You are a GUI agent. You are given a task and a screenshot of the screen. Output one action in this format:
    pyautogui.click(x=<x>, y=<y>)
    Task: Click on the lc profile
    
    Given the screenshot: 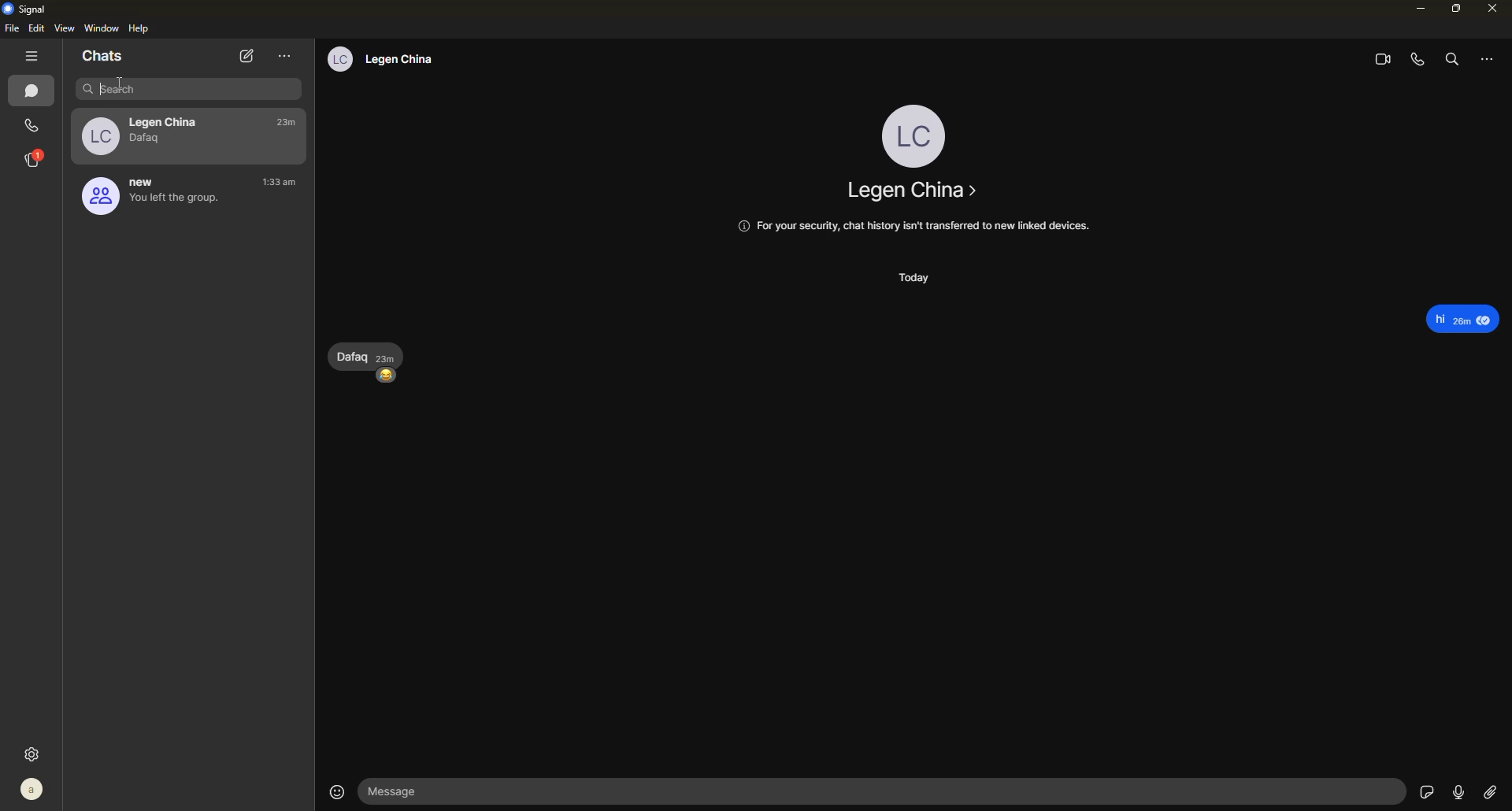 What is the action you would take?
    pyautogui.click(x=337, y=61)
    